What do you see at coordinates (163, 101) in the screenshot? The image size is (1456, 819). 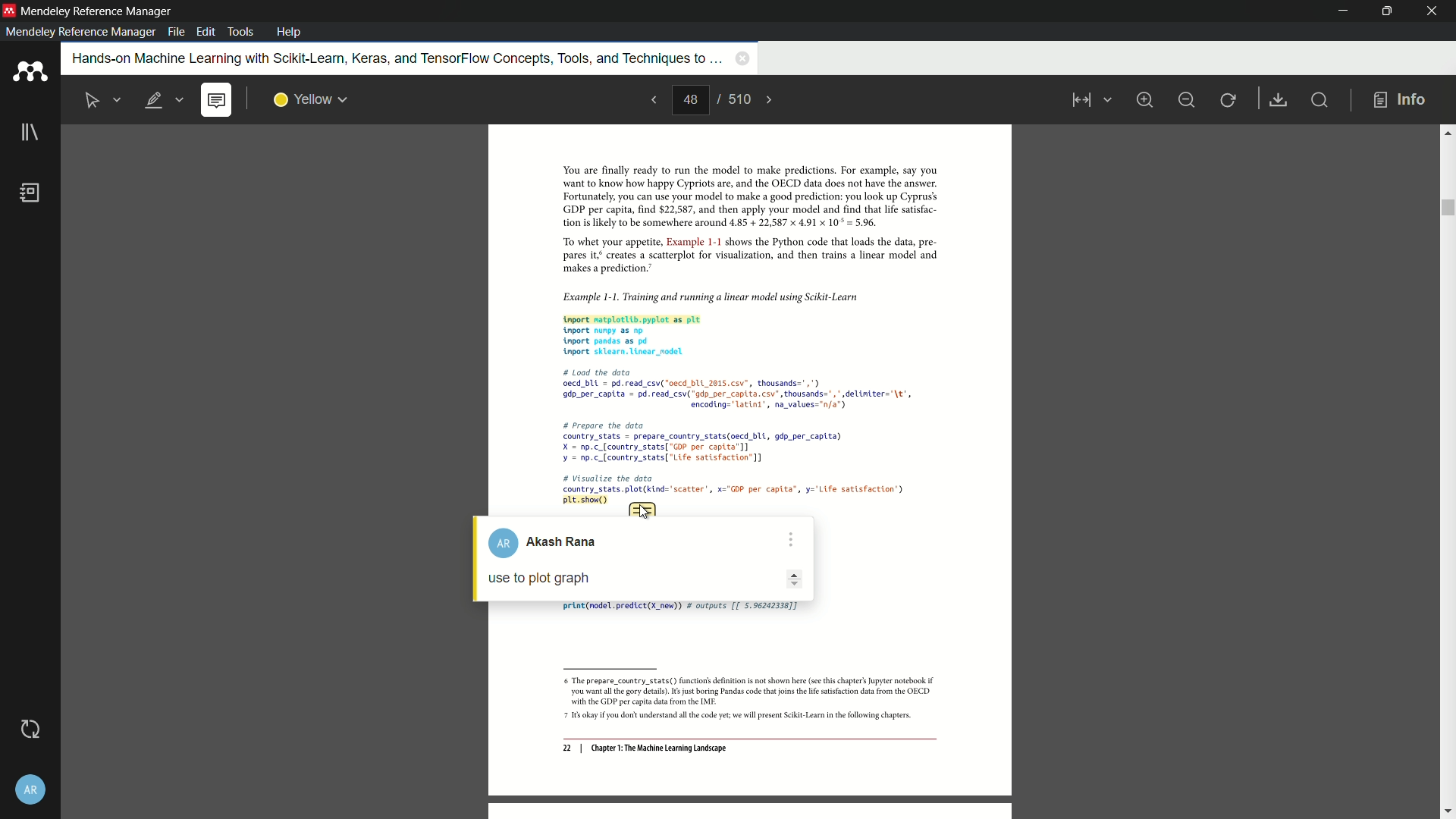 I see `highlight text is selected` at bounding box center [163, 101].